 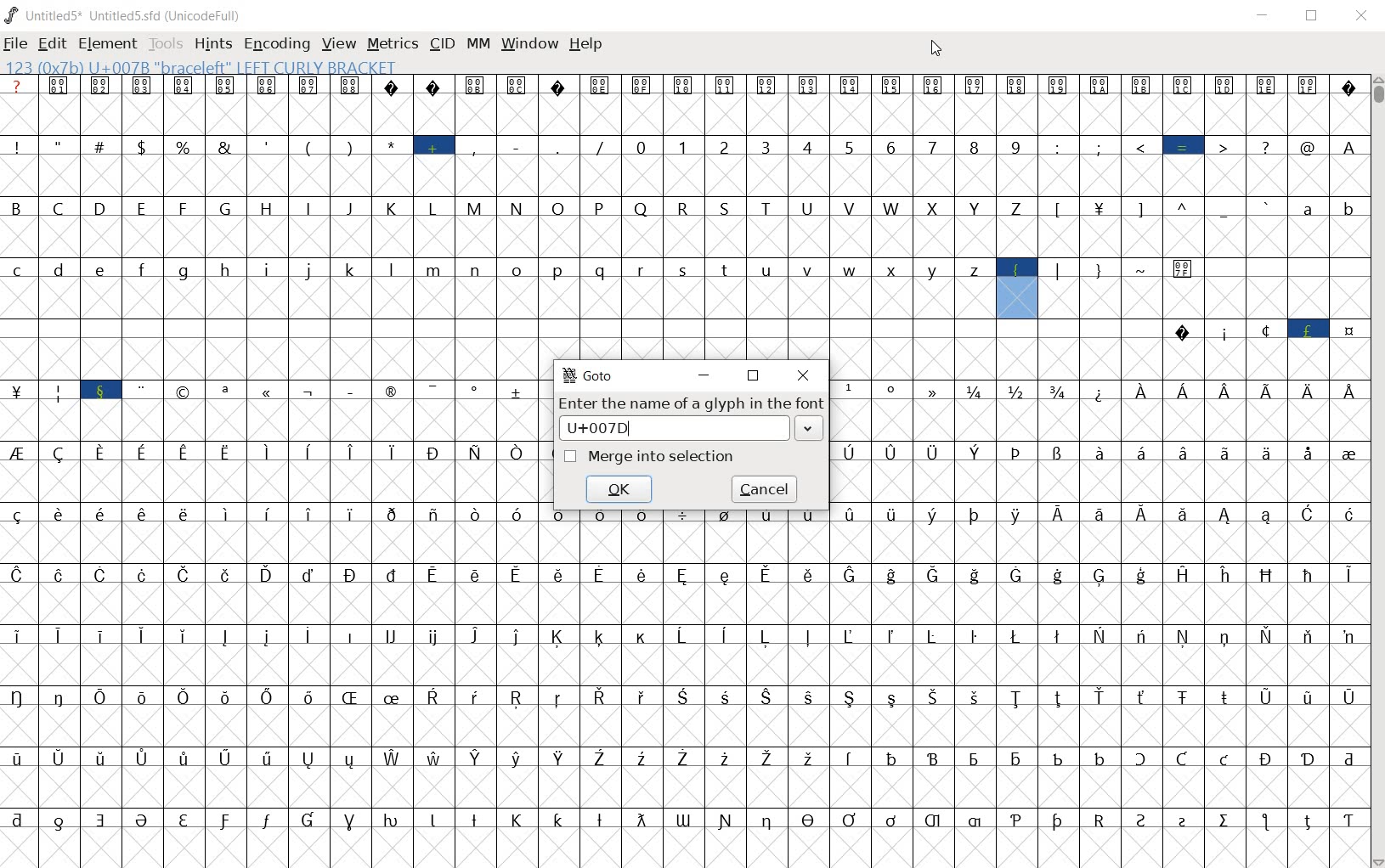 I want to click on ENCODING, so click(x=276, y=44).